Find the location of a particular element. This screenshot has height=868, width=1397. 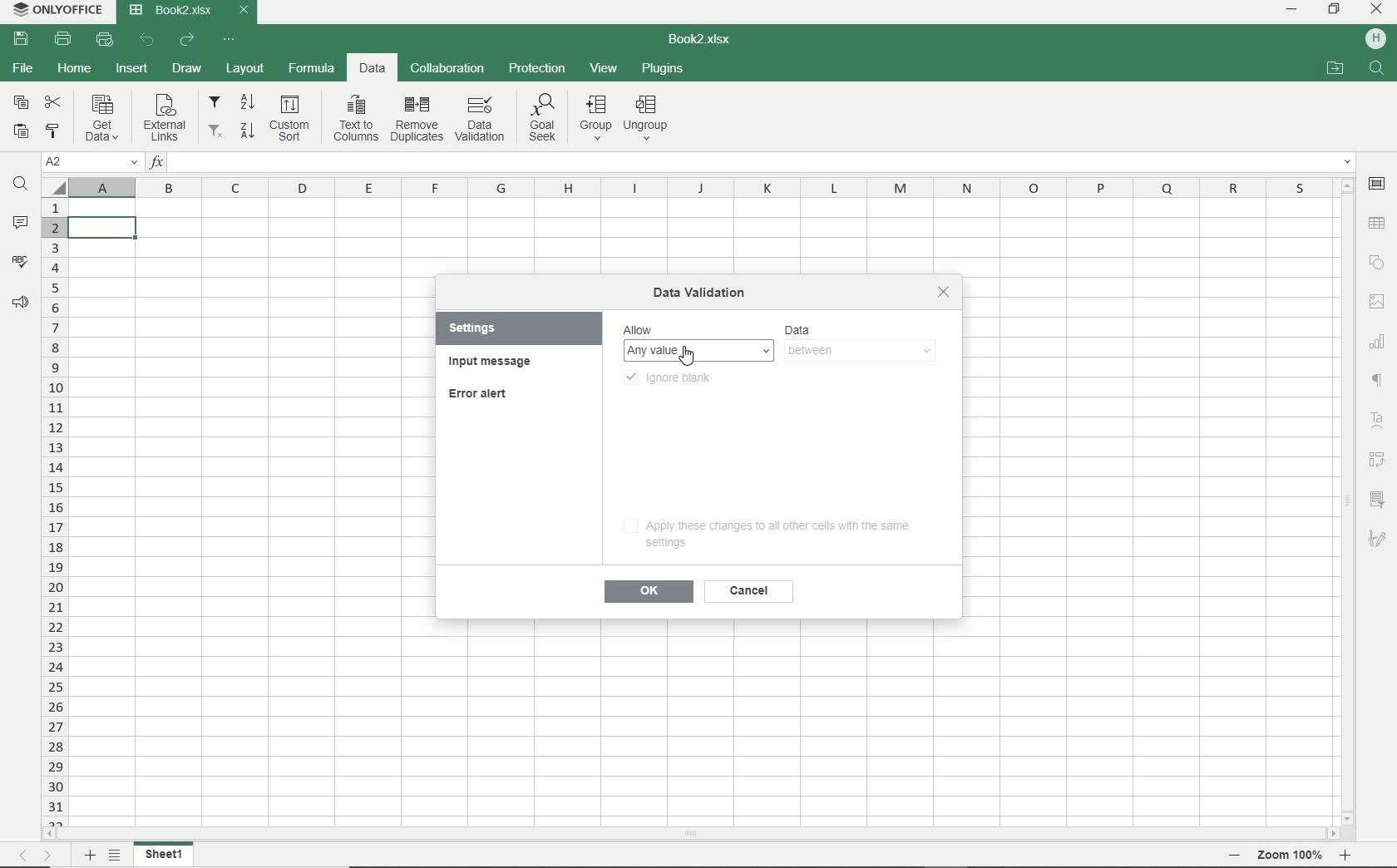

CLOSE is located at coordinates (1375, 10).